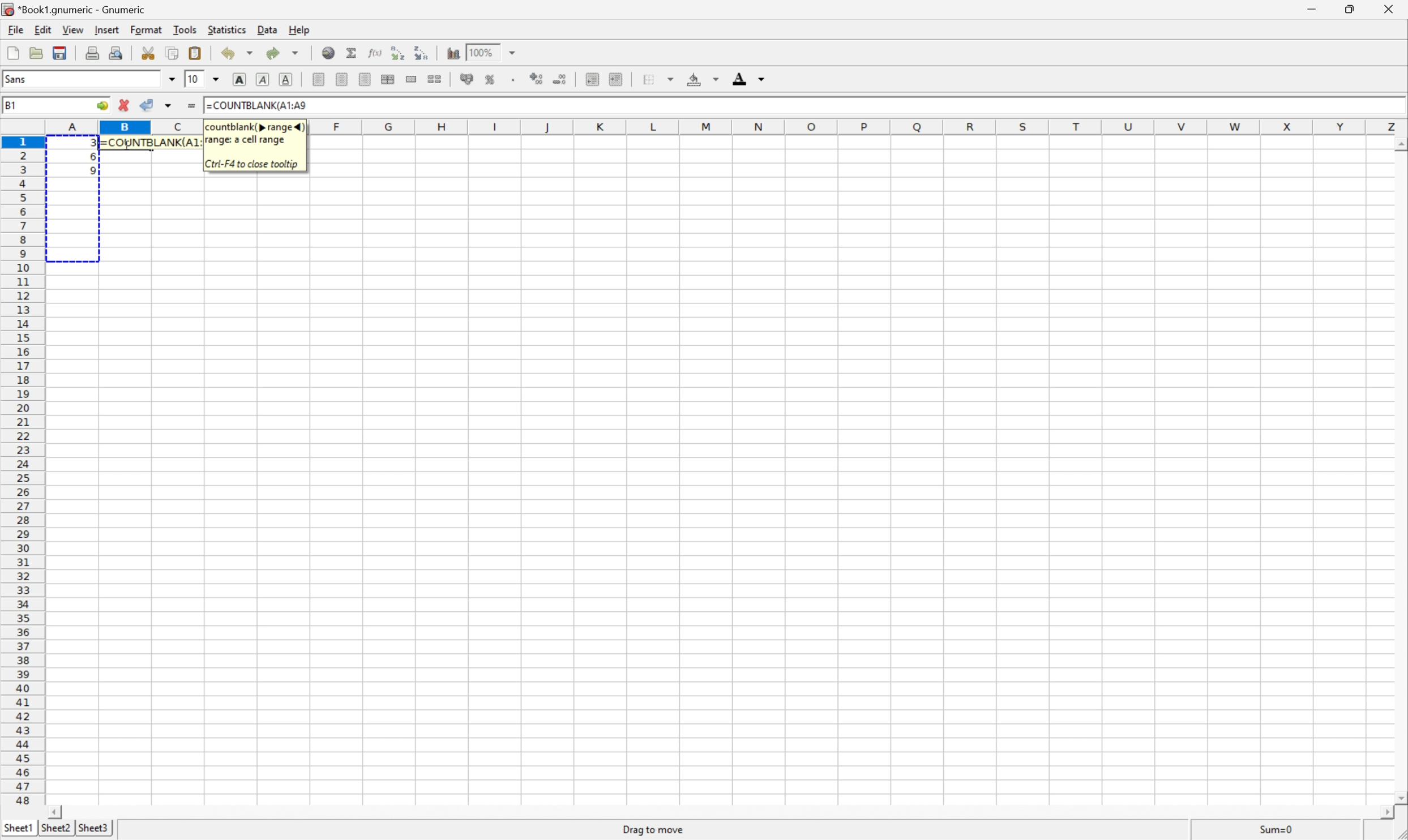 The width and height of the screenshot is (1408, 840). What do you see at coordinates (170, 106) in the screenshot?
I see `Accept changes in multiple cells` at bounding box center [170, 106].